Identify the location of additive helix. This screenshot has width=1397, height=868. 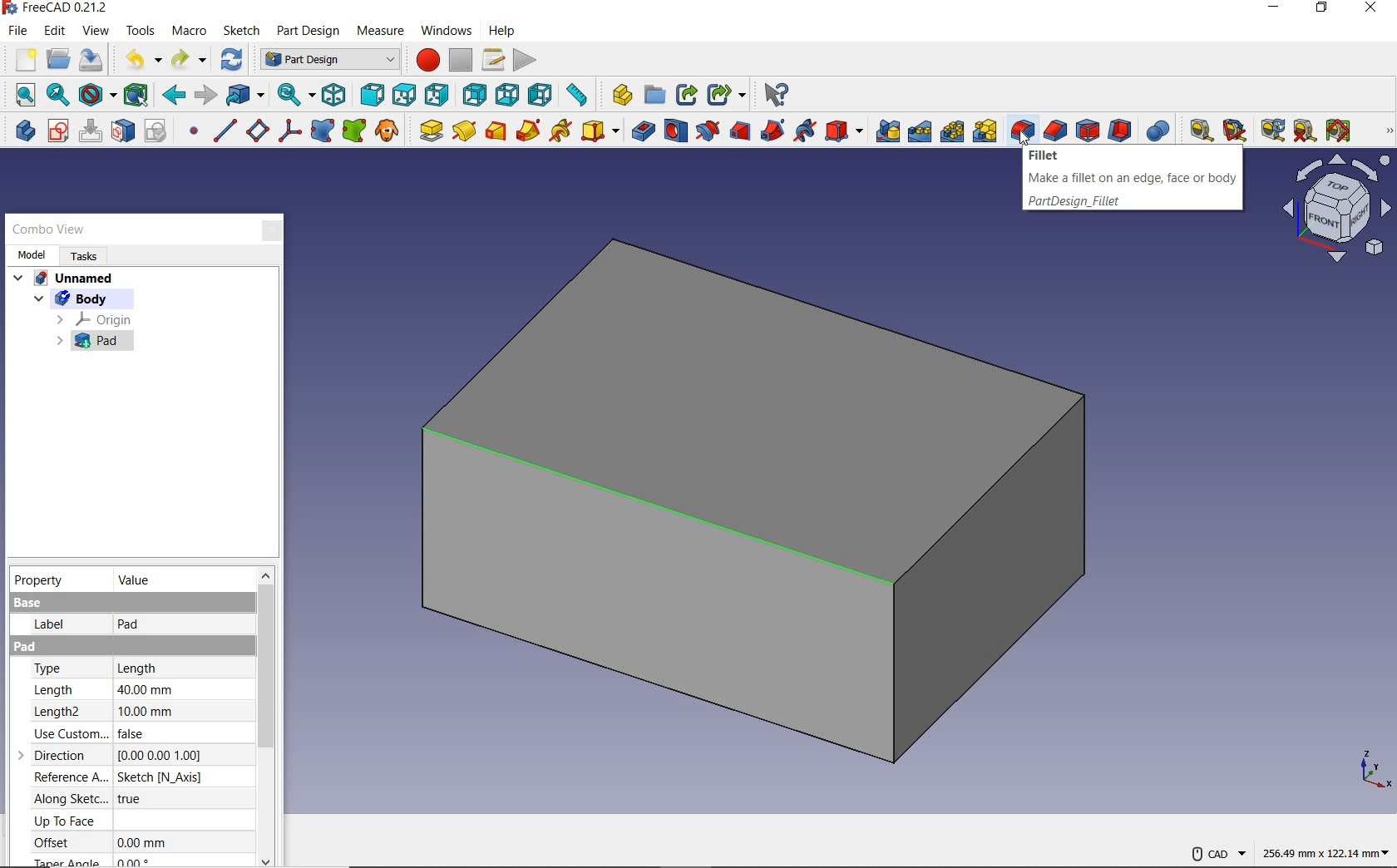
(561, 131).